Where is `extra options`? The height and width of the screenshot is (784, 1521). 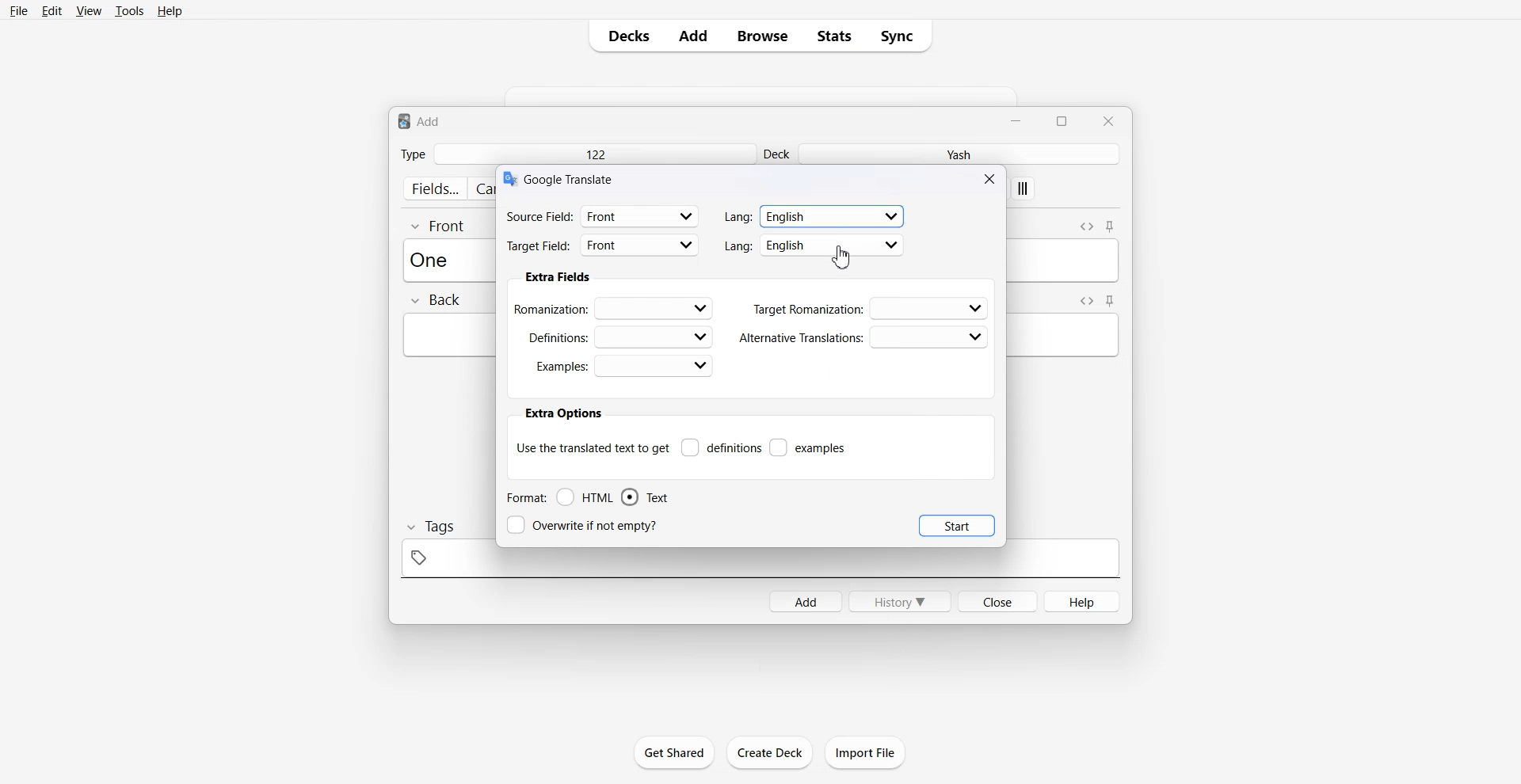 extra options is located at coordinates (562, 413).